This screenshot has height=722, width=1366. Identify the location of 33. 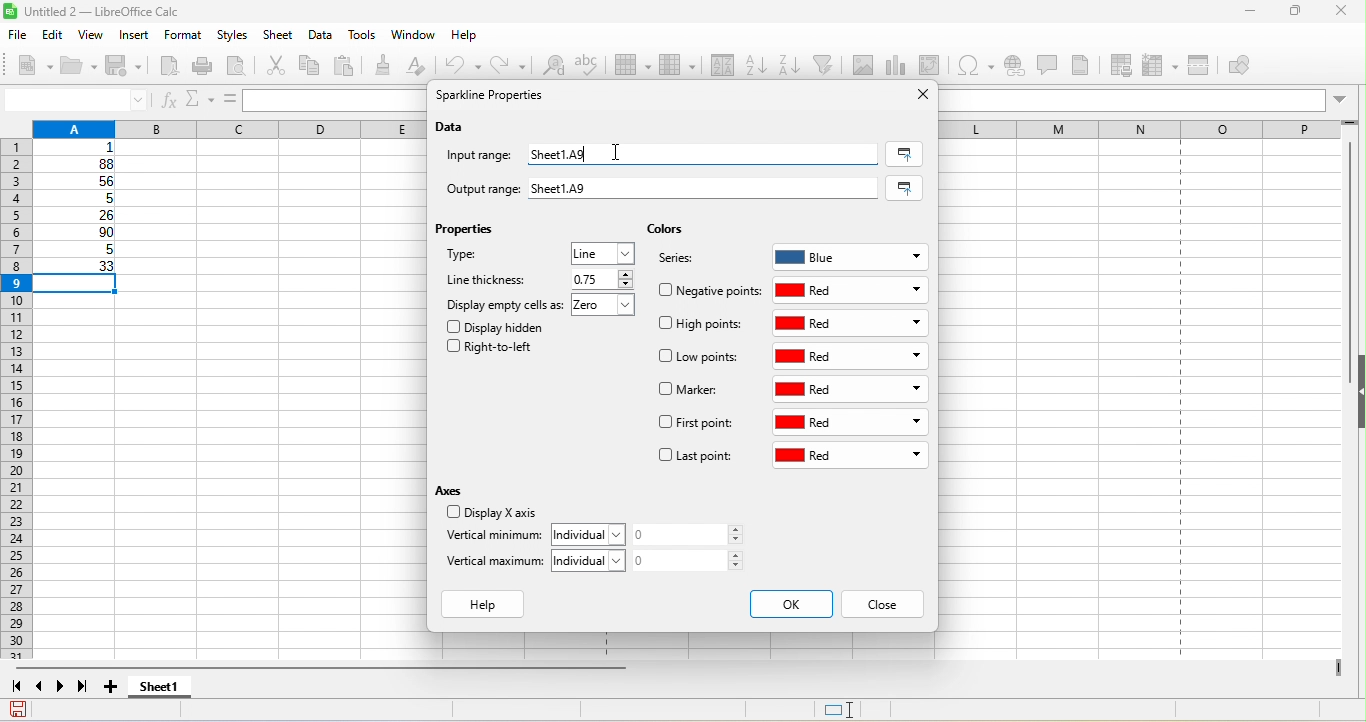
(78, 267).